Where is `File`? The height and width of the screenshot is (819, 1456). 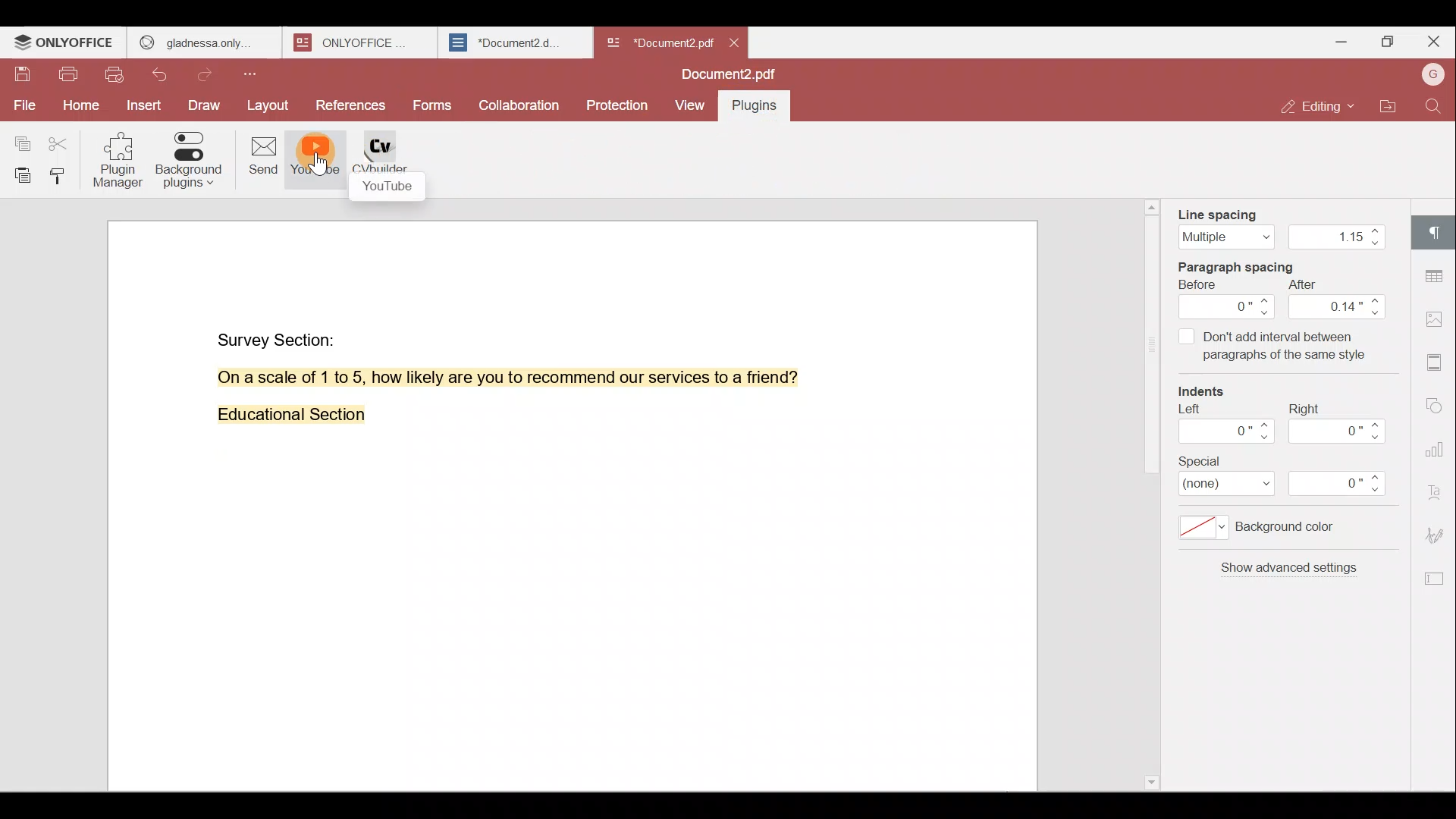 File is located at coordinates (23, 105).